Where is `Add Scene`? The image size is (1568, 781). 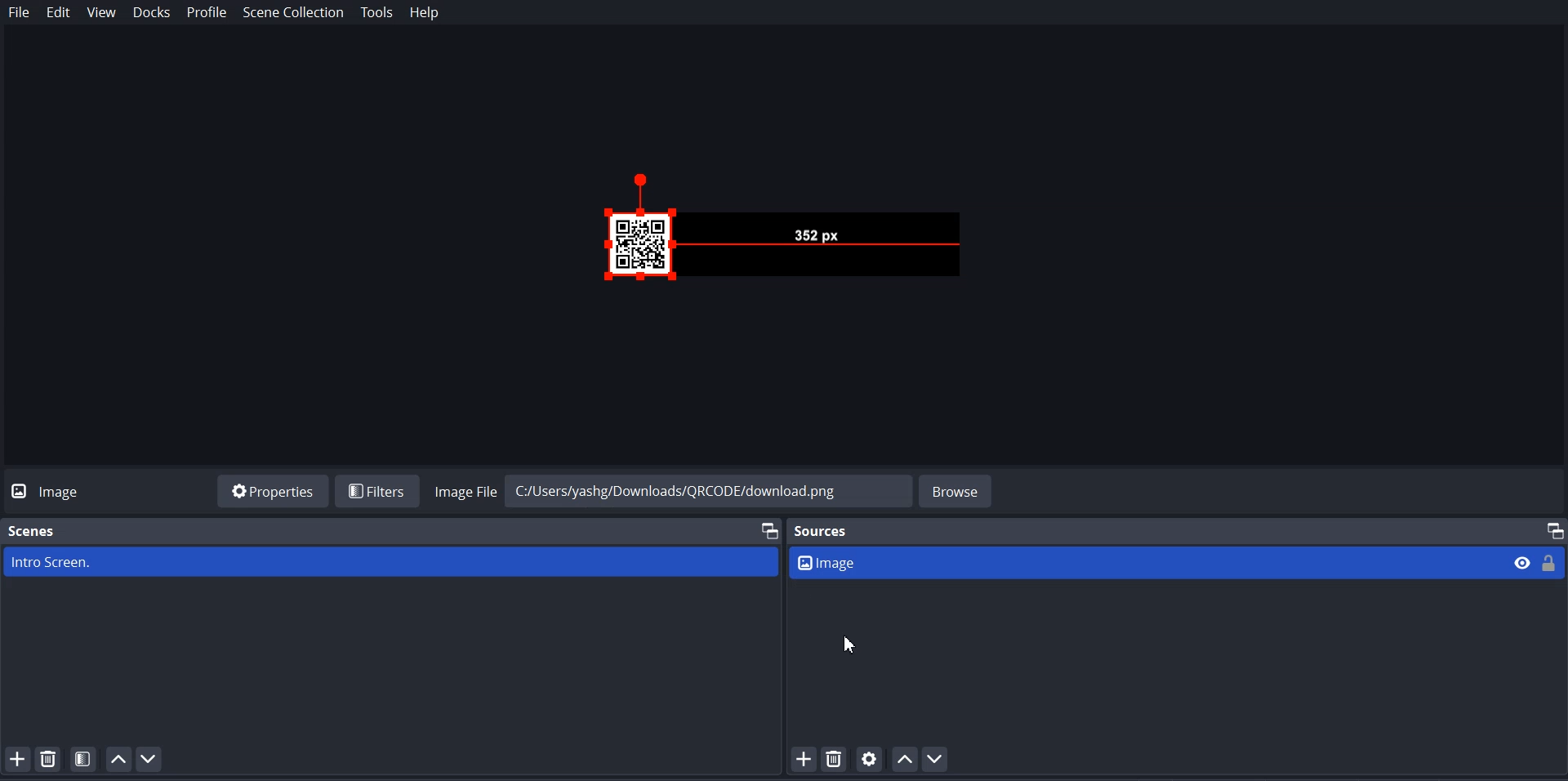
Add Scene is located at coordinates (16, 758).